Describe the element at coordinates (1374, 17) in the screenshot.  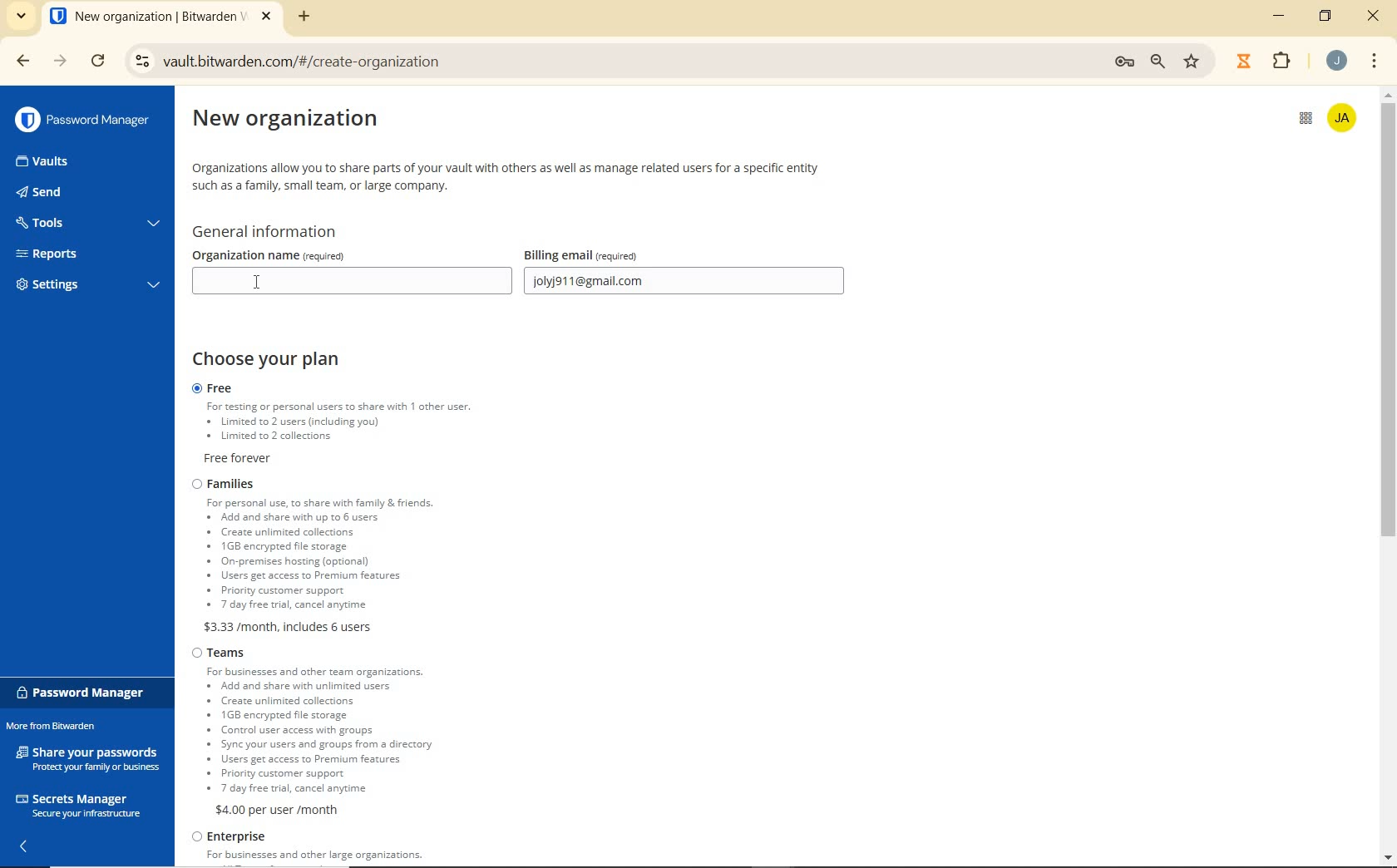
I see `close` at that location.